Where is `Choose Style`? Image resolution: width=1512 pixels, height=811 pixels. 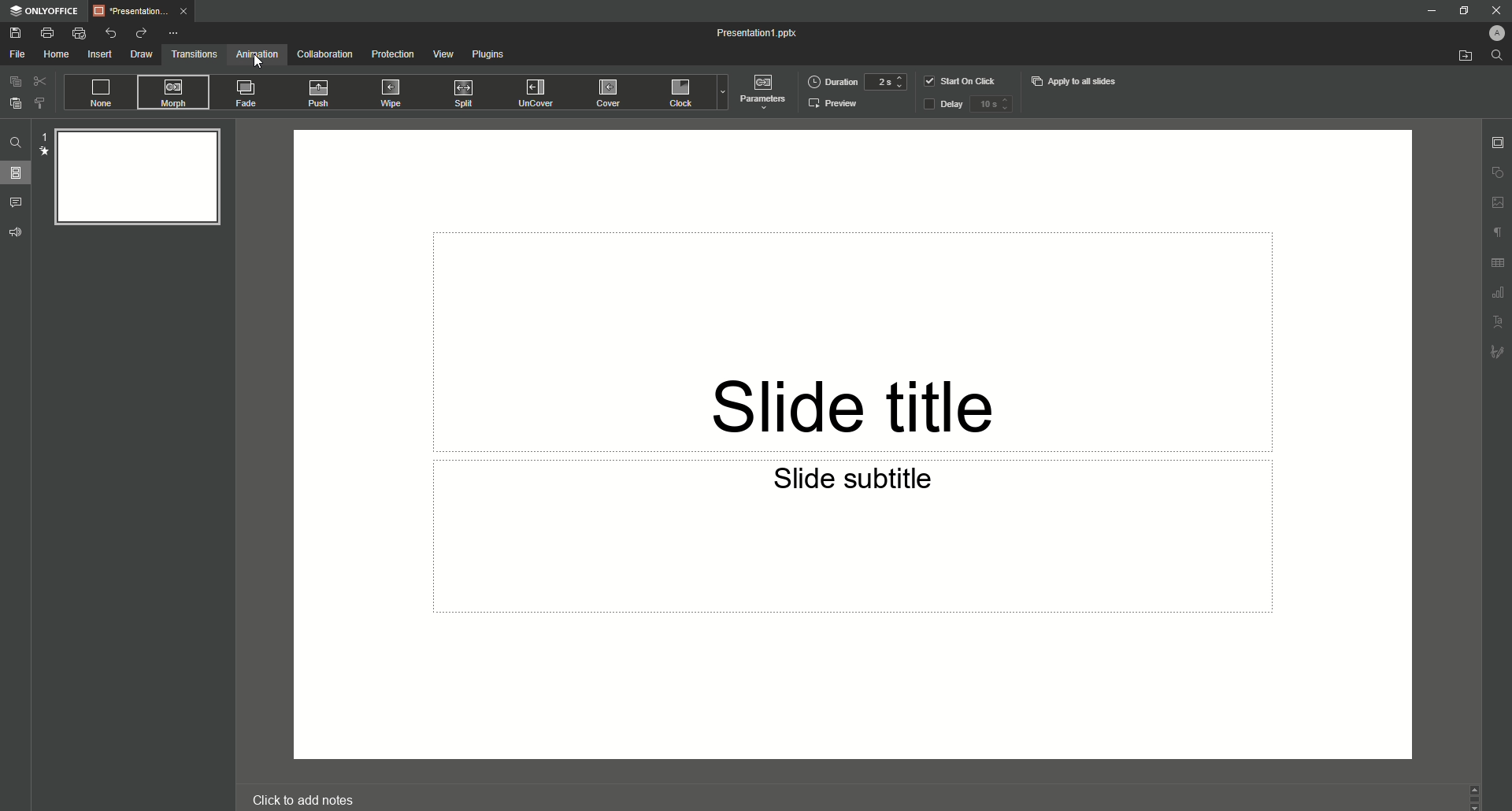 Choose Style is located at coordinates (40, 103).